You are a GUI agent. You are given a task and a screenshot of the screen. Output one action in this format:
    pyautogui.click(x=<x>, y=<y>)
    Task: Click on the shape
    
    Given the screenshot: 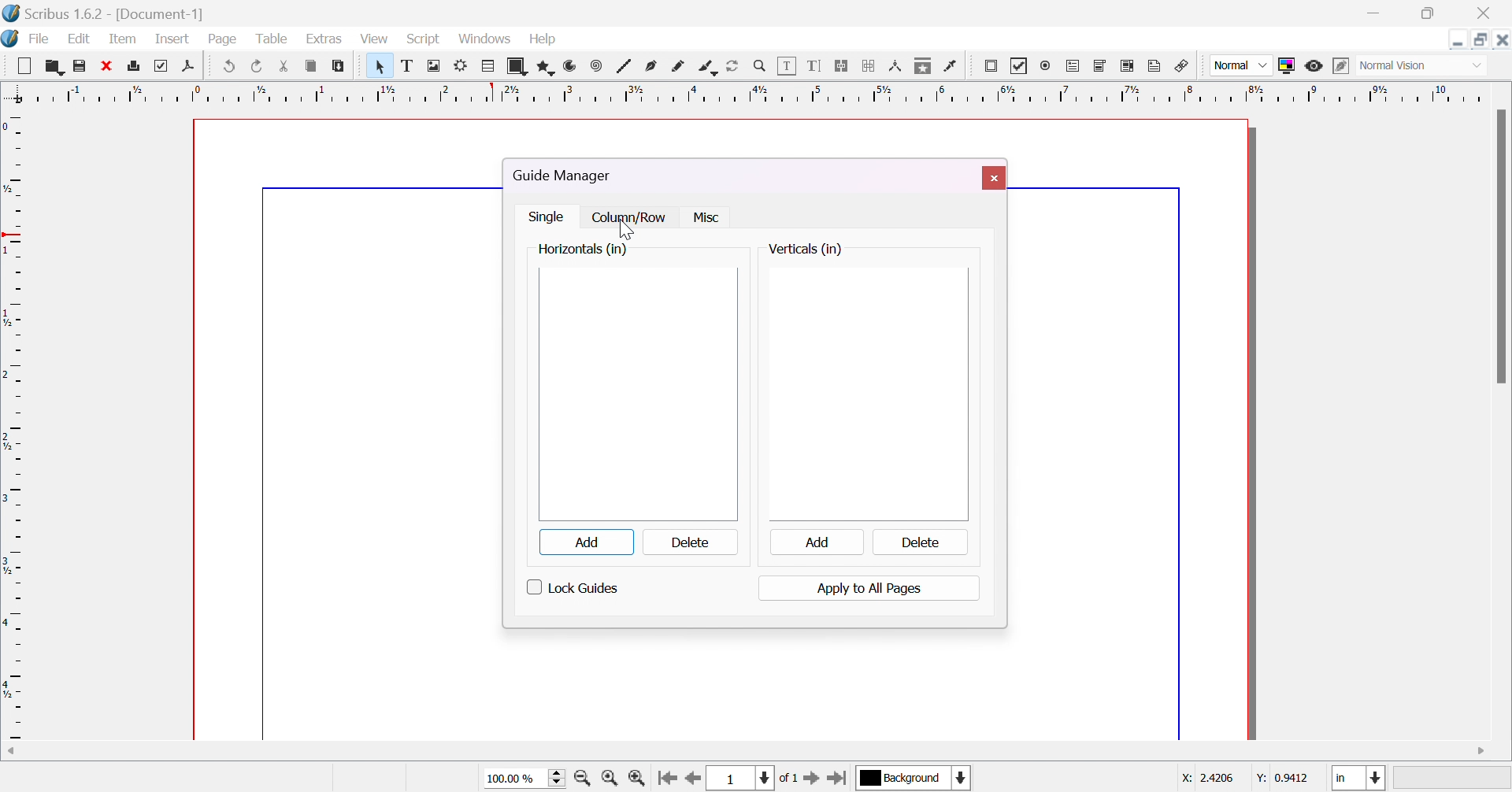 What is the action you would take?
    pyautogui.click(x=519, y=66)
    